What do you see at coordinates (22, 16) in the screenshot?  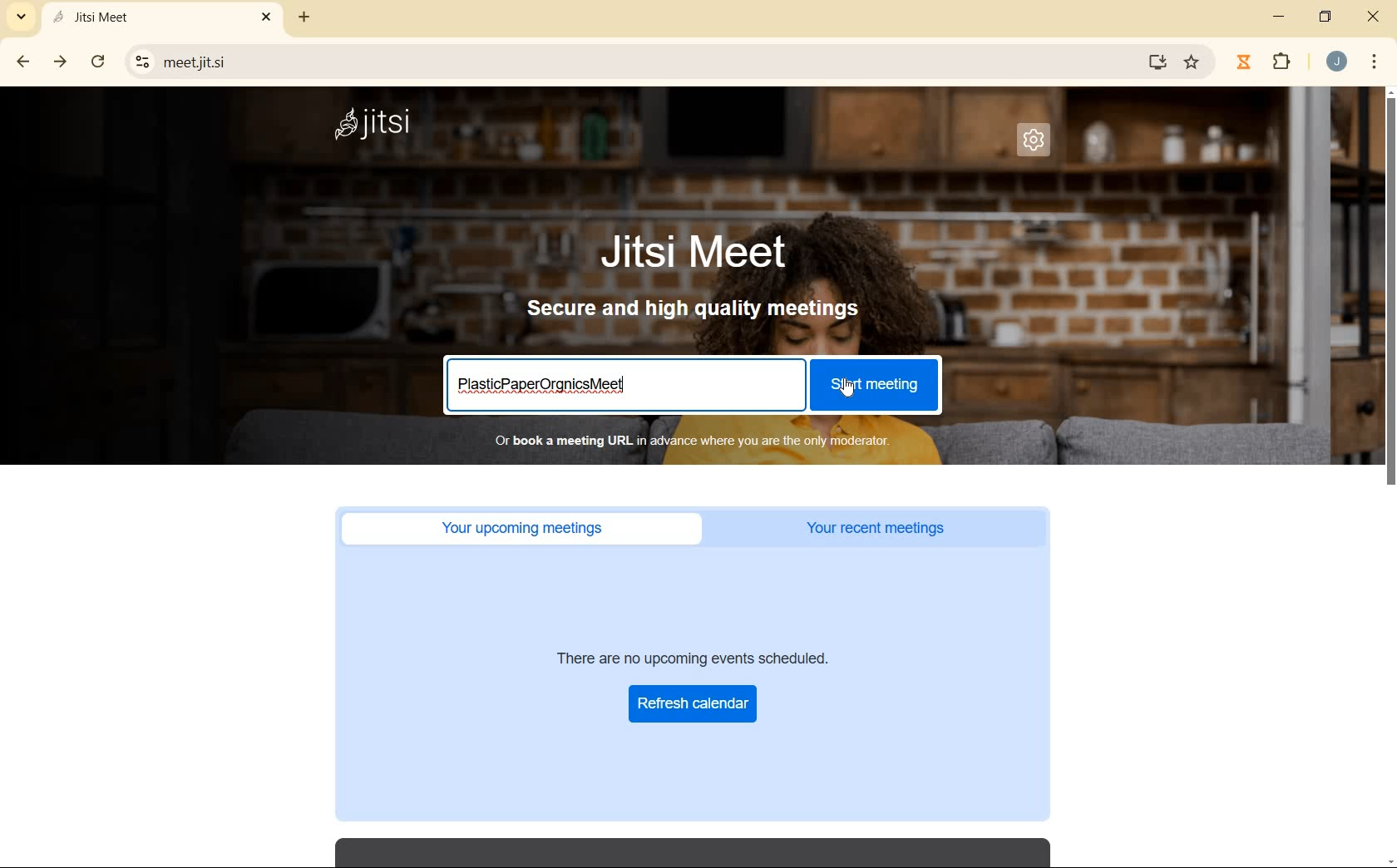 I see `search tabs` at bounding box center [22, 16].